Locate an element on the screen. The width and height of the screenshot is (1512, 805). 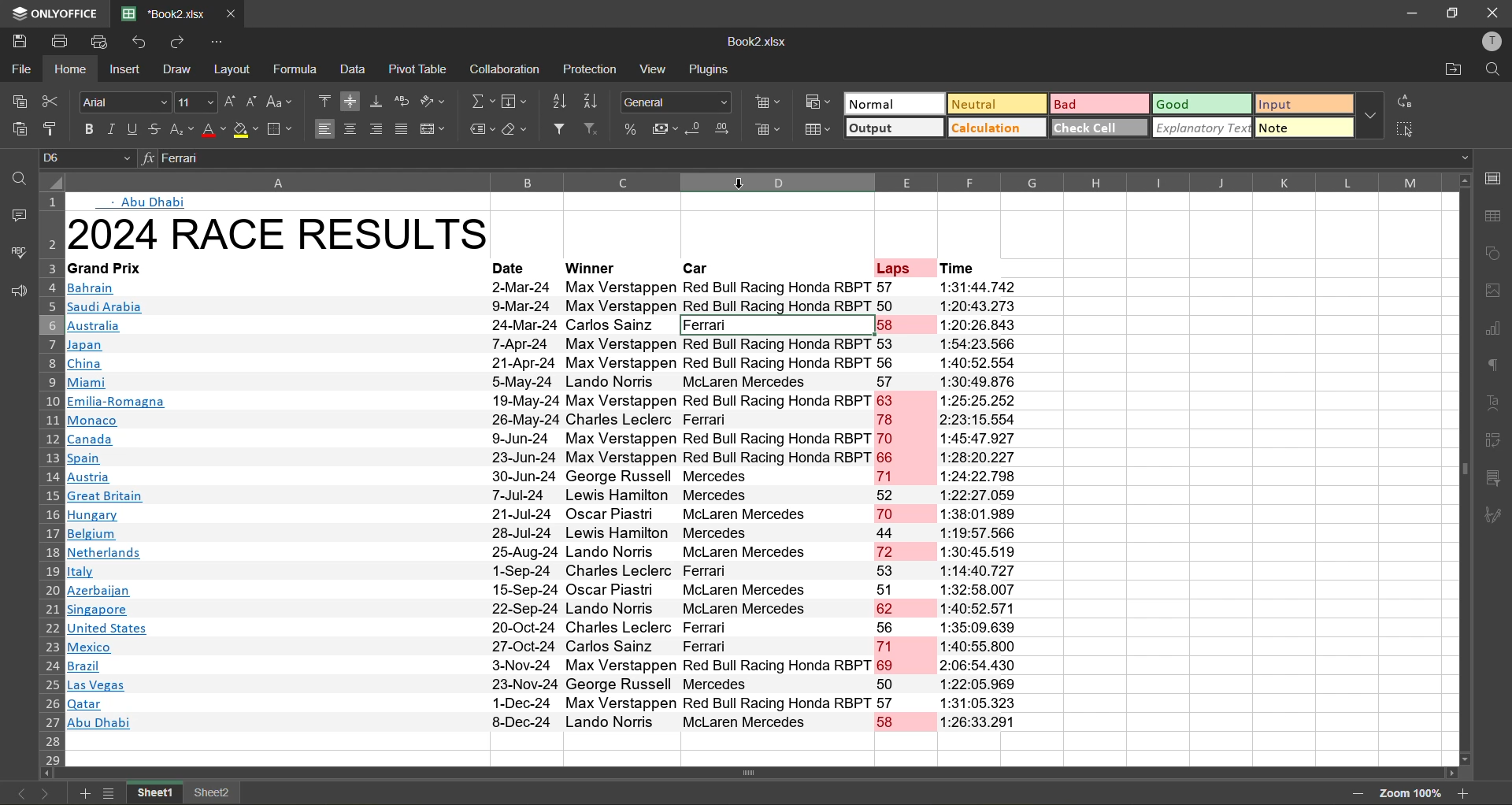
zoom in is located at coordinates (1466, 795).